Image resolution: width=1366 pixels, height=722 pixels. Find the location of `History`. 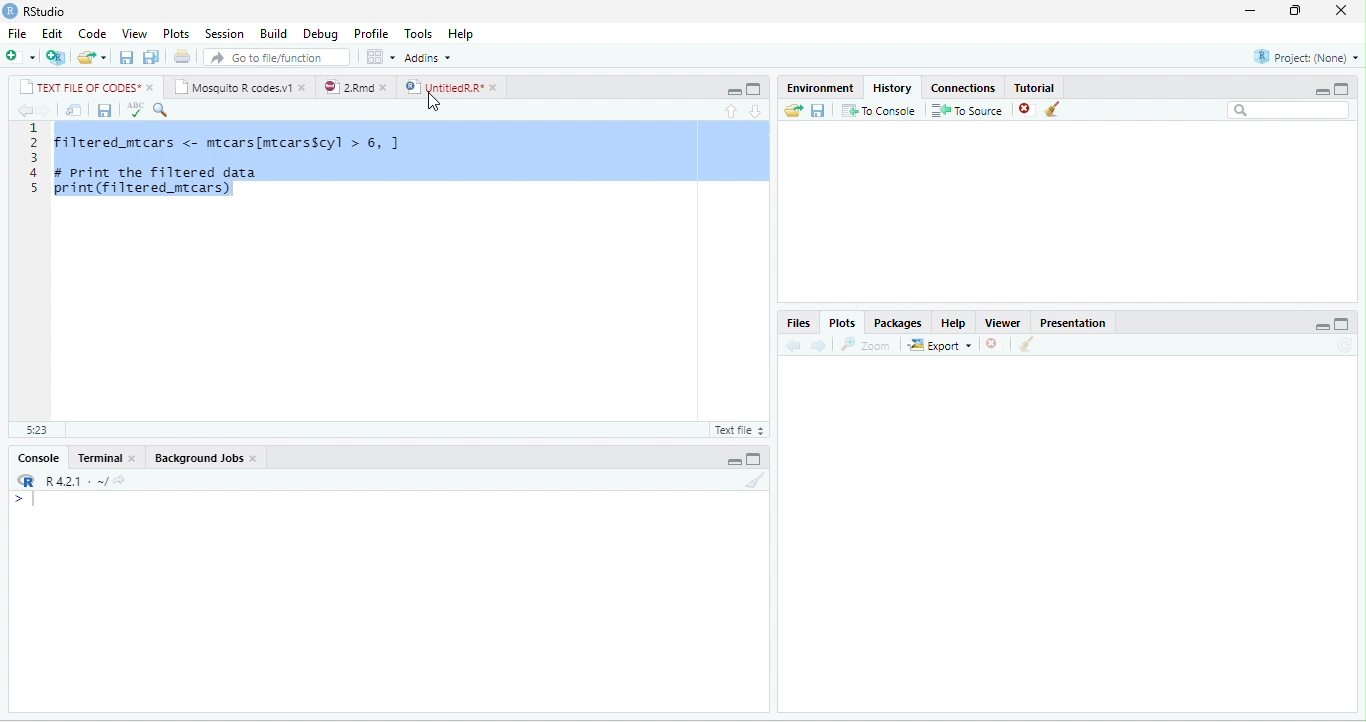

History is located at coordinates (892, 88).